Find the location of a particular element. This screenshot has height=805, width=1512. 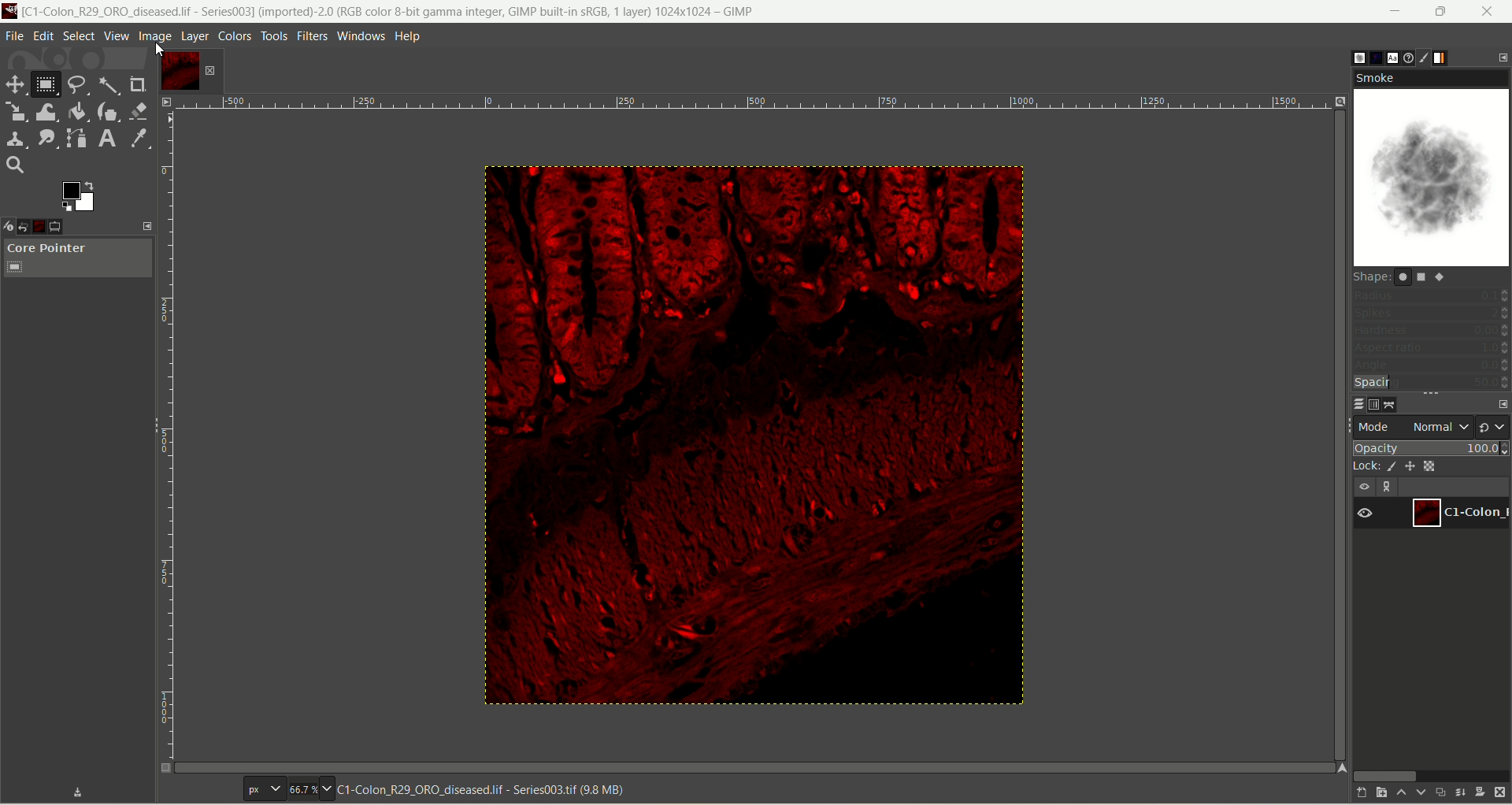

maximize is located at coordinates (1440, 12).